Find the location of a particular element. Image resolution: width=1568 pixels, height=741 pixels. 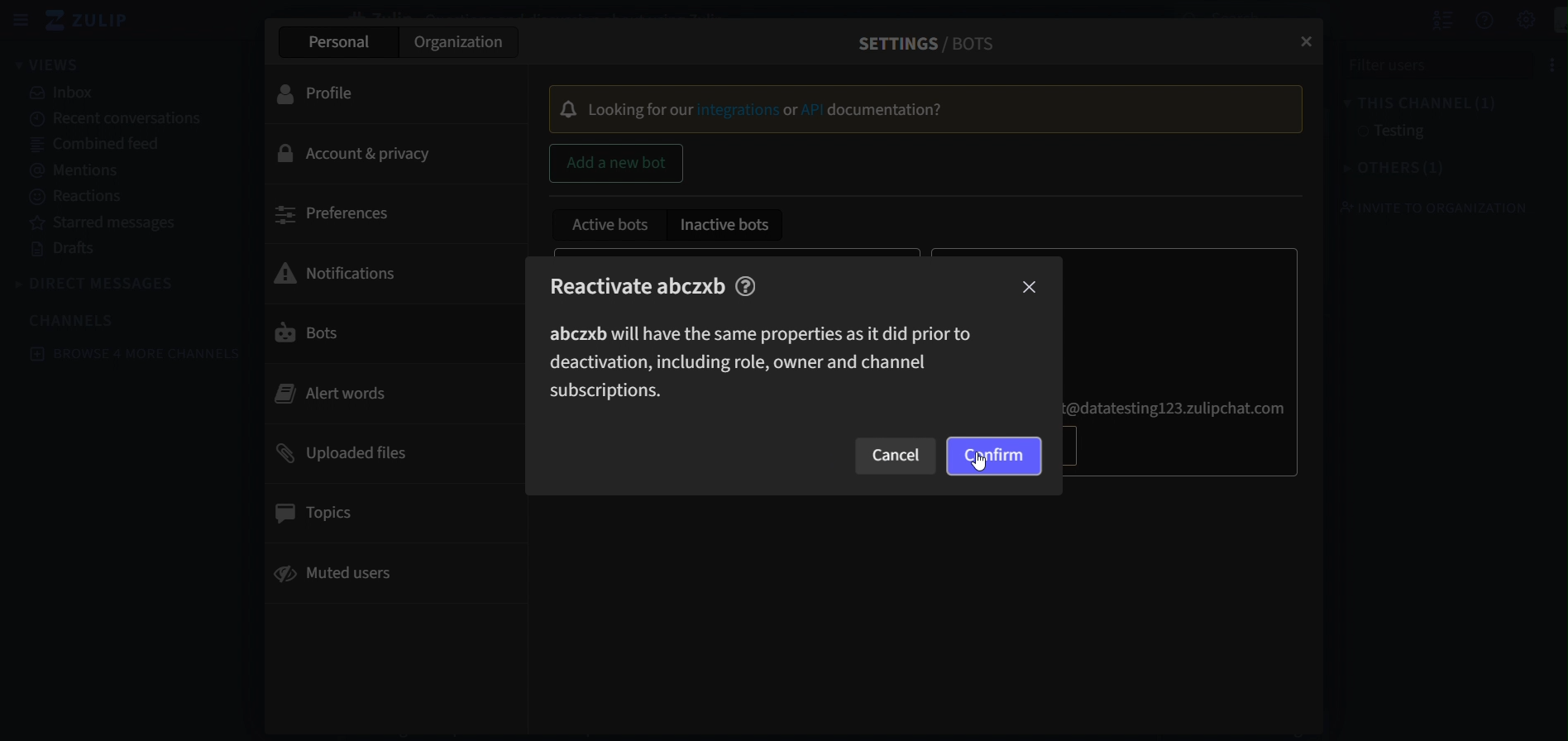

muted users is located at coordinates (336, 576).